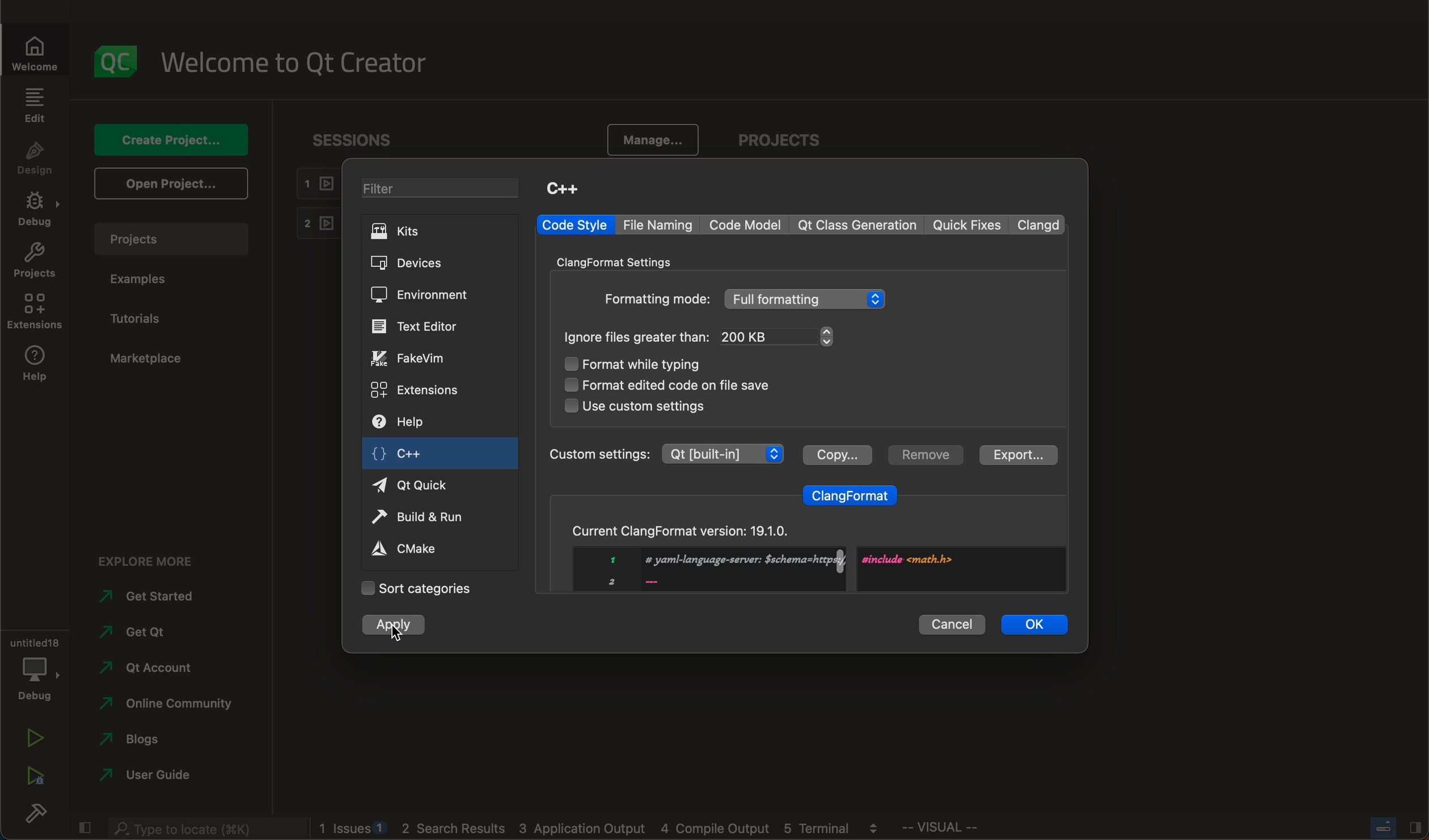 The image size is (1429, 840). I want to click on qt, so click(143, 637).